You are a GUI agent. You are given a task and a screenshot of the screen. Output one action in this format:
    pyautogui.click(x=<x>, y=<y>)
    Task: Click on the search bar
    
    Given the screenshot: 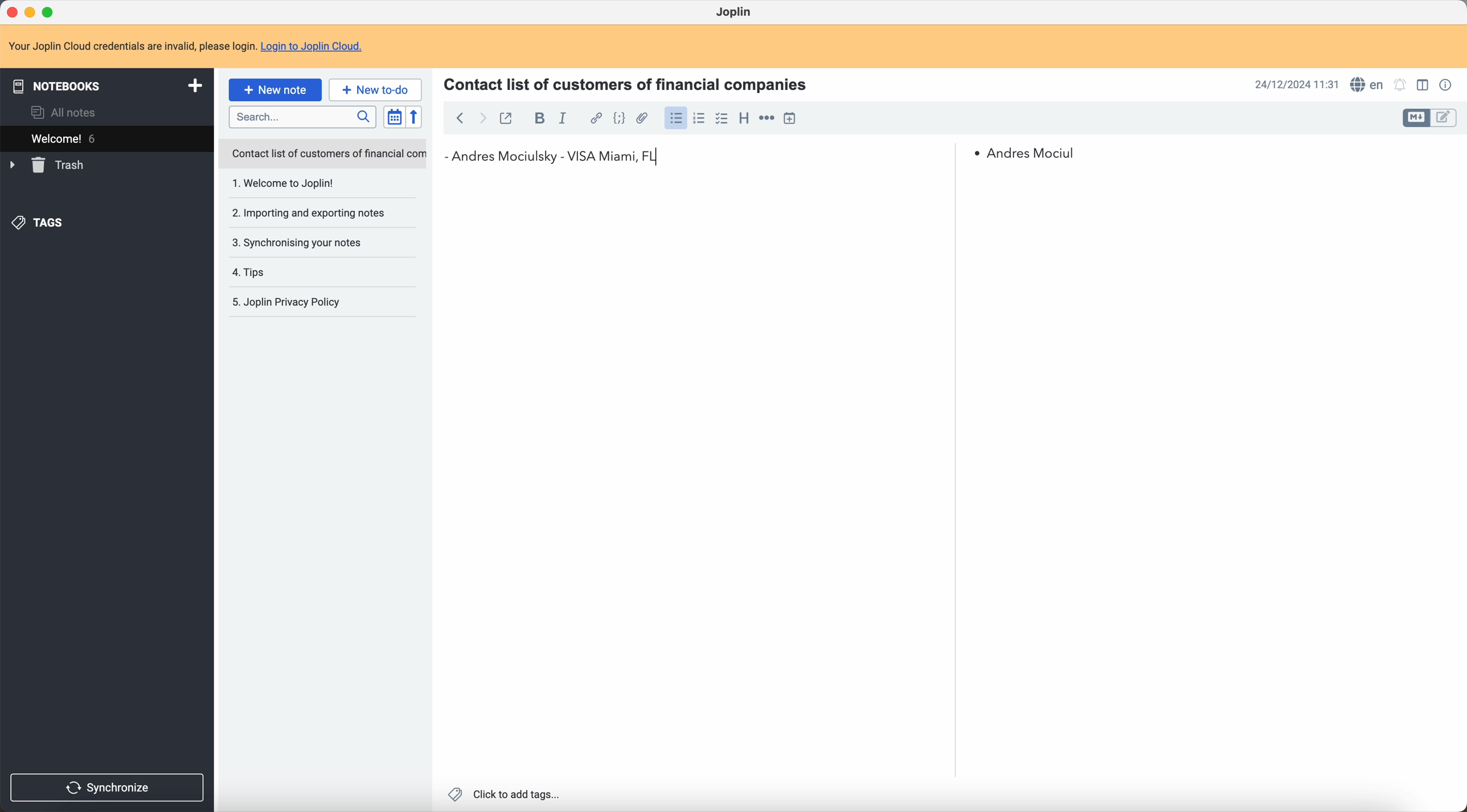 What is the action you would take?
    pyautogui.click(x=305, y=117)
    